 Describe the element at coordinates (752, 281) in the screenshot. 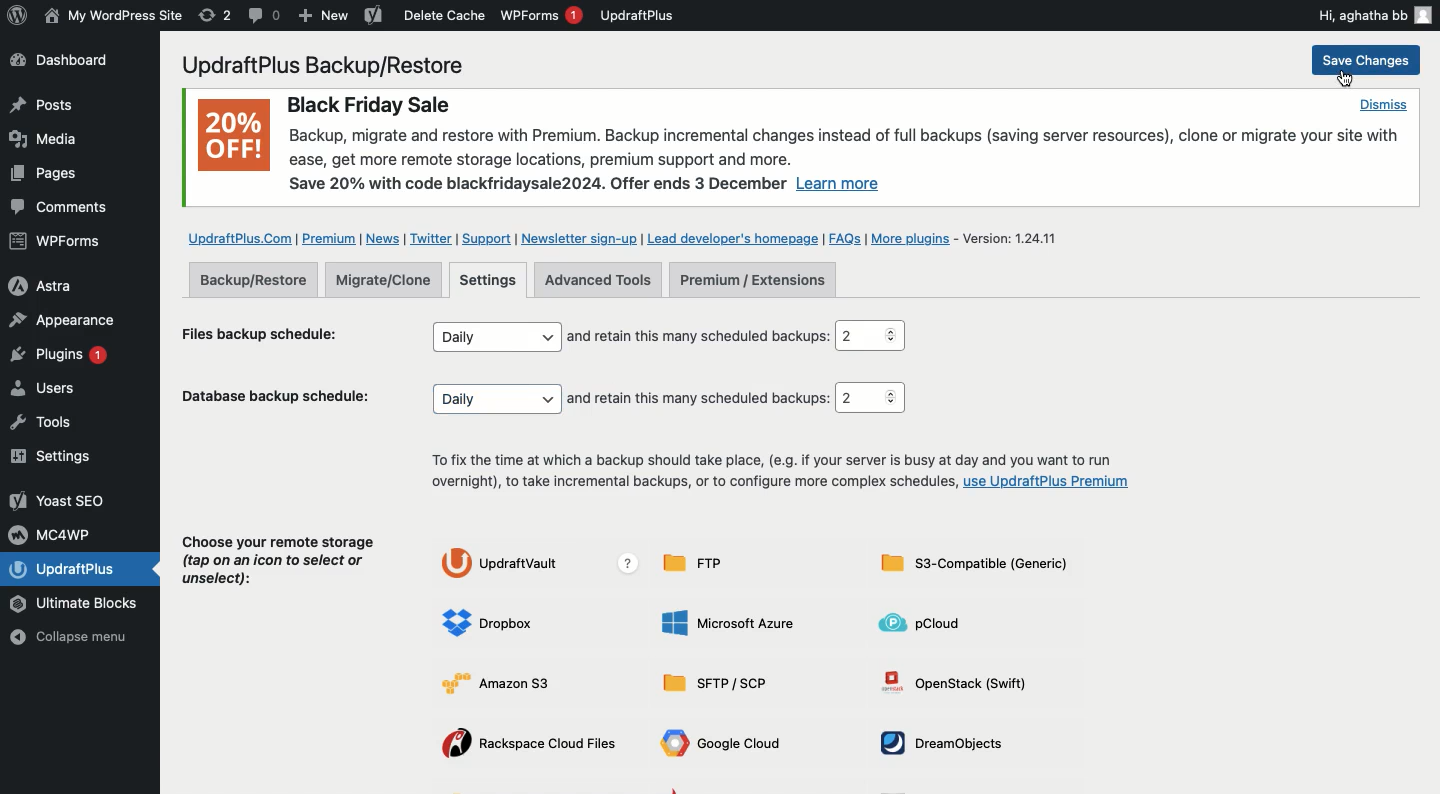

I see `Premium extensions` at that location.